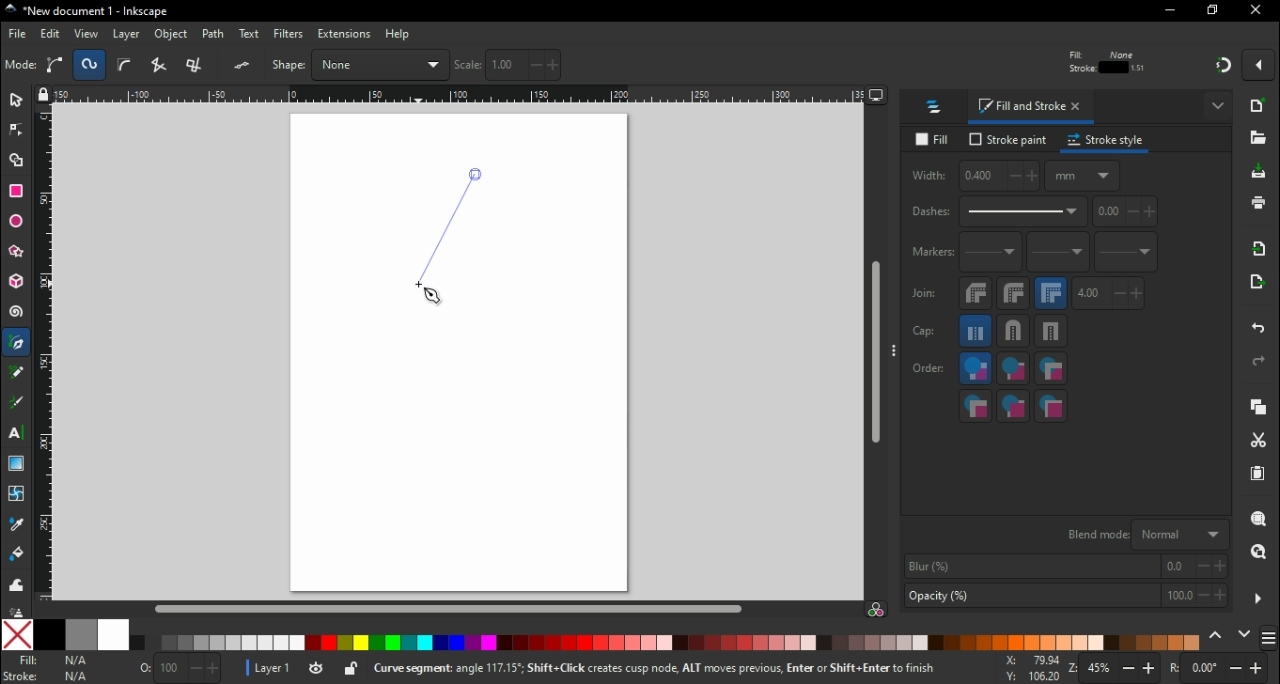 This screenshot has height=684, width=1280. Describe the element at coordinates (1064, 596) in the screenshot. I see `opacity` at that location.